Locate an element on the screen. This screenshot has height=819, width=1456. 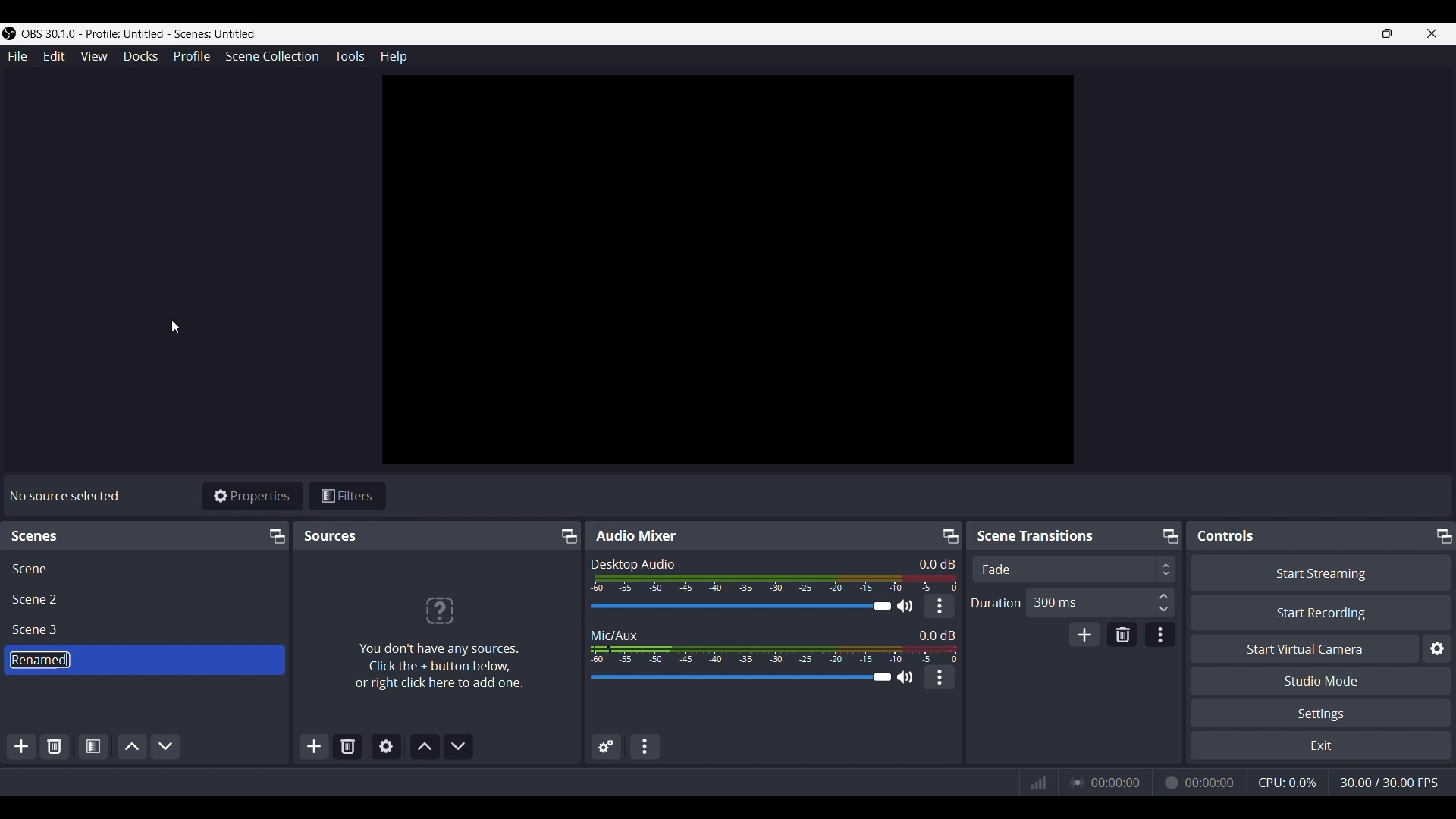
Scene Transitions is located at coordinates (1039, 535).